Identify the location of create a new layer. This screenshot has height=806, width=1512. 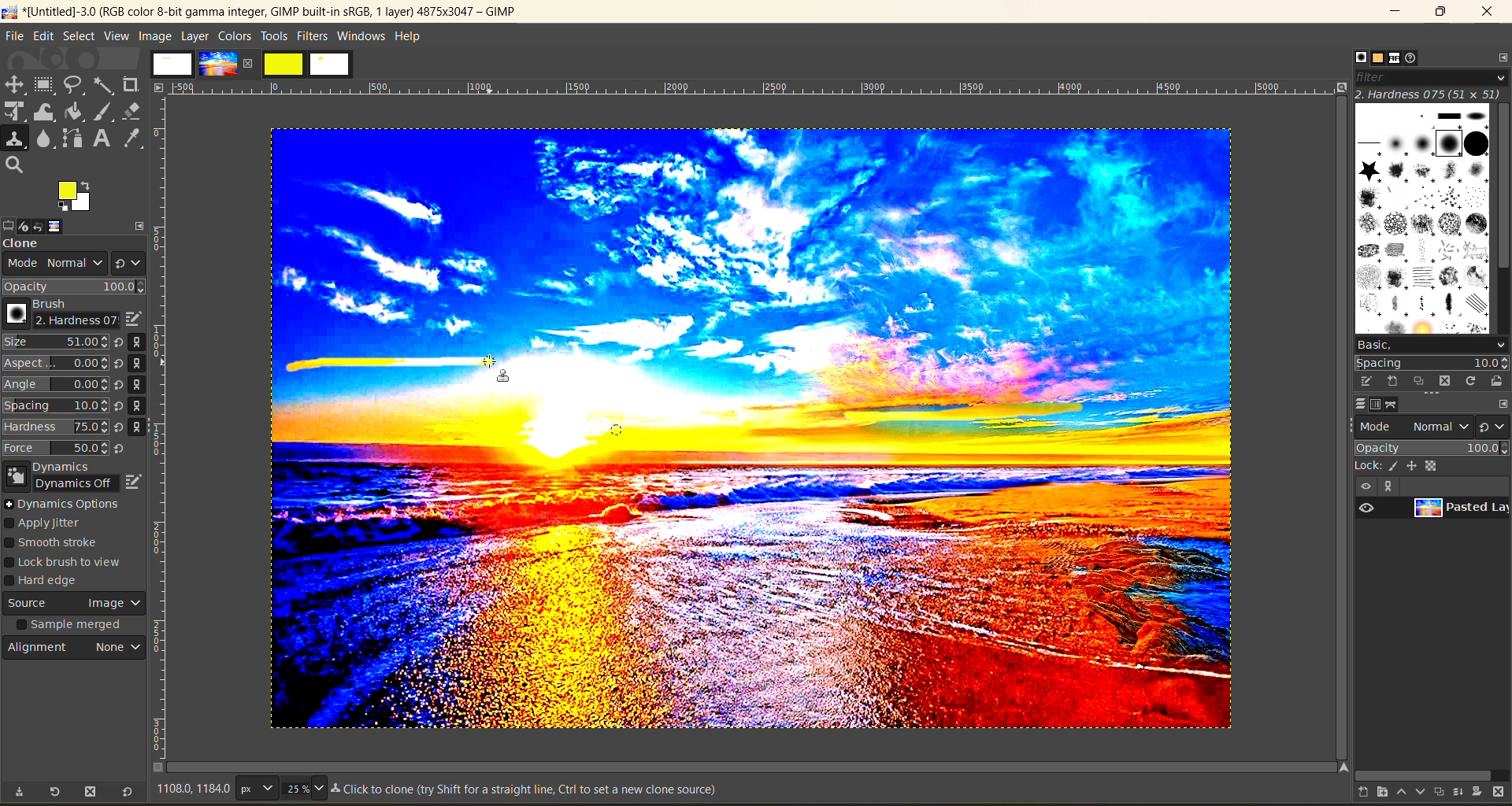
(1354, 793).